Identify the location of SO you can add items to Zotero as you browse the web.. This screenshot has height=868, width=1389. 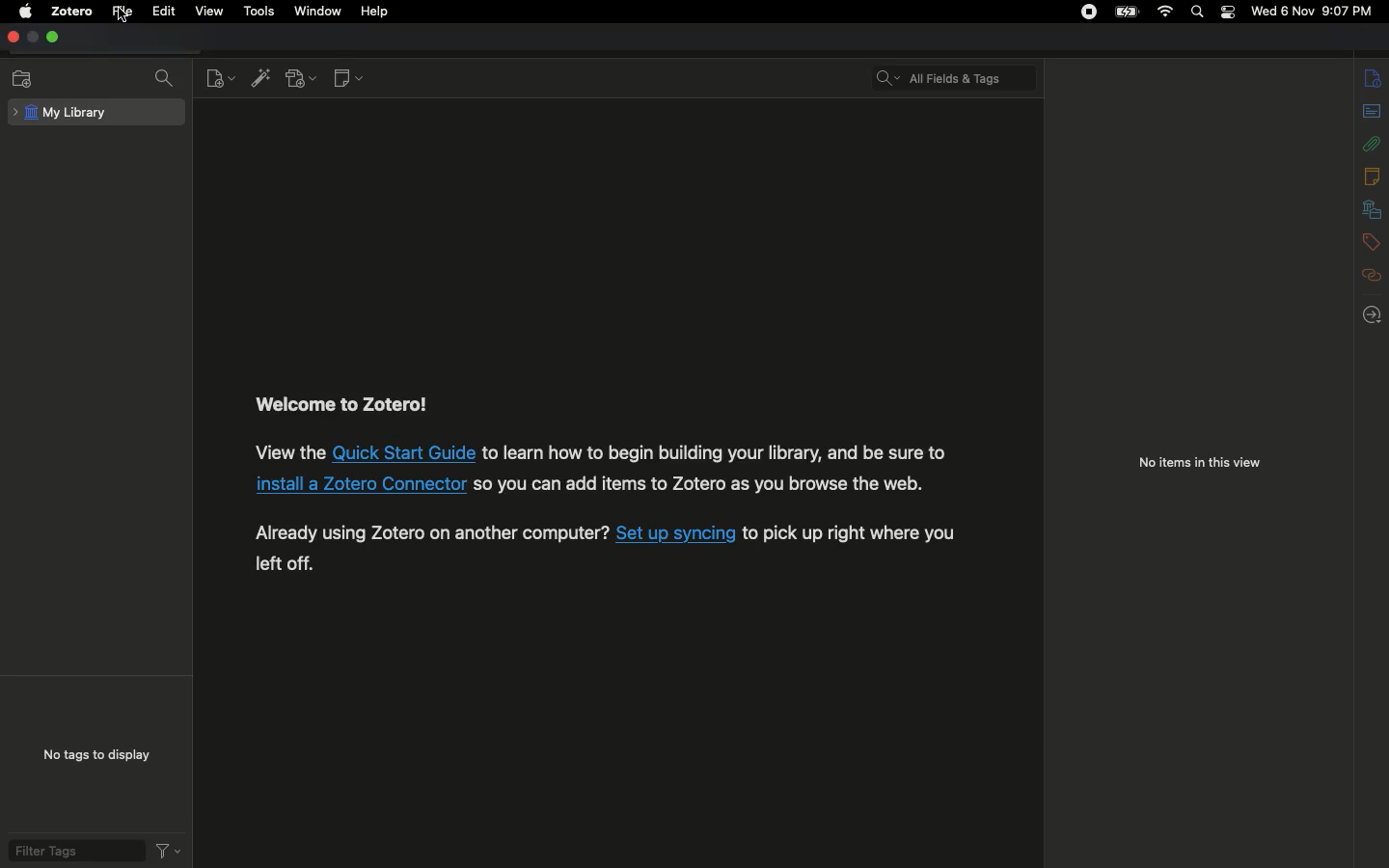
(700, 483).